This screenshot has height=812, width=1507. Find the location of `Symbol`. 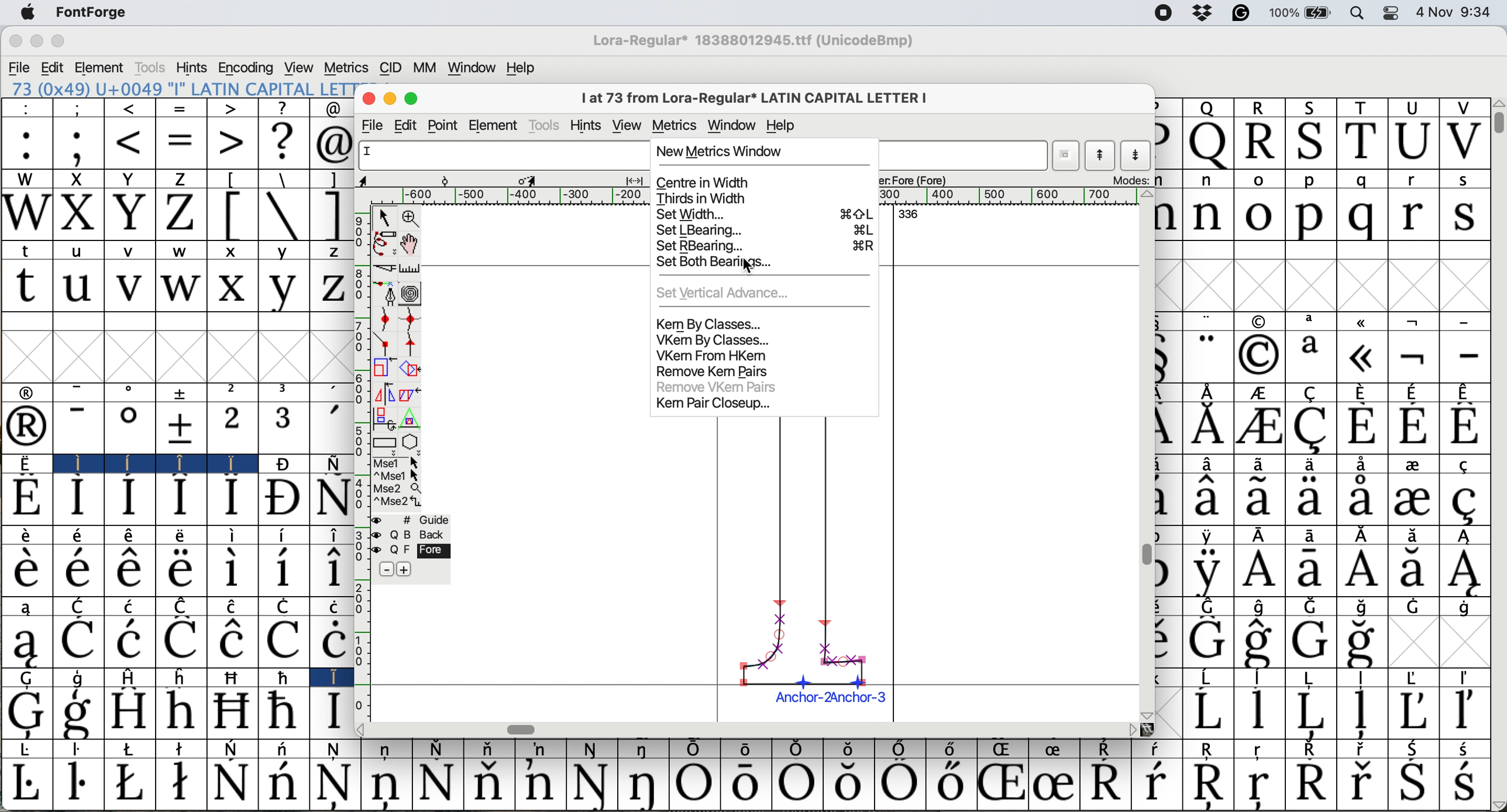

Symbol is located at coordinates (645, 785).